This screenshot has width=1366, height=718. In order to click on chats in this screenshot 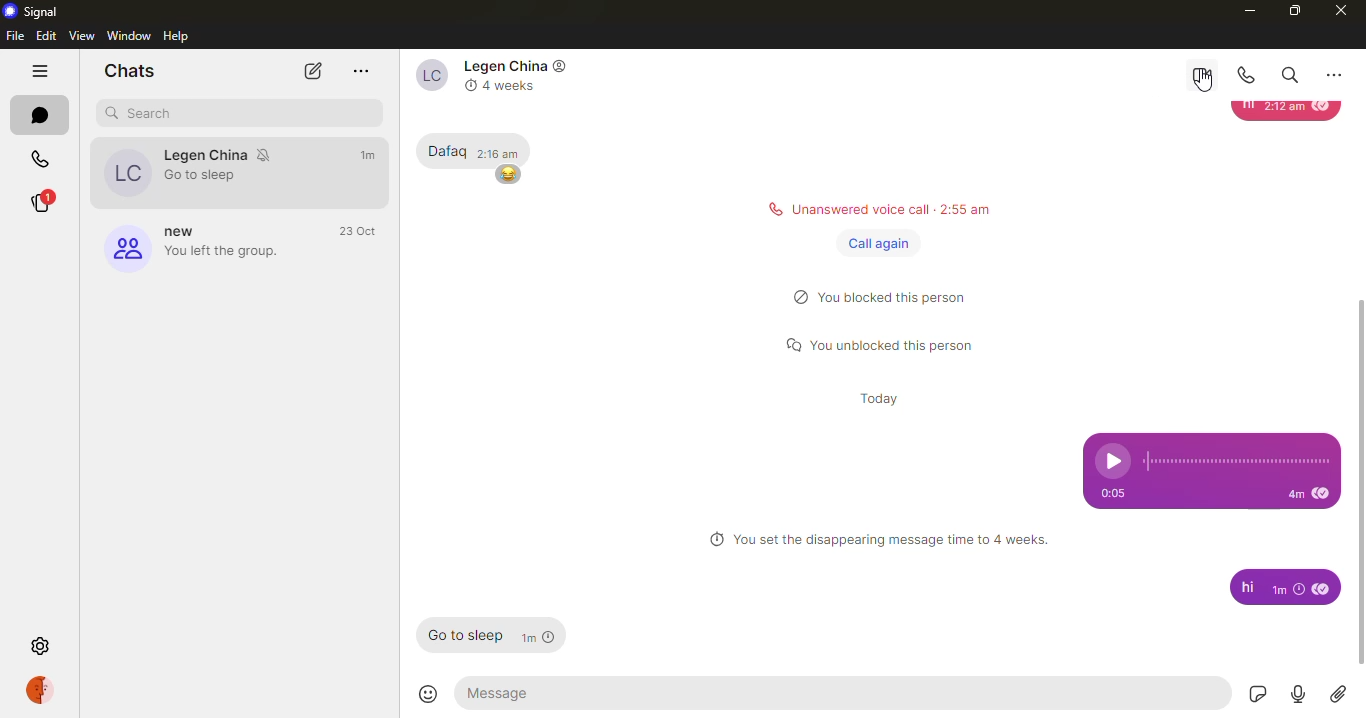, I will do `click(38, 114)`.